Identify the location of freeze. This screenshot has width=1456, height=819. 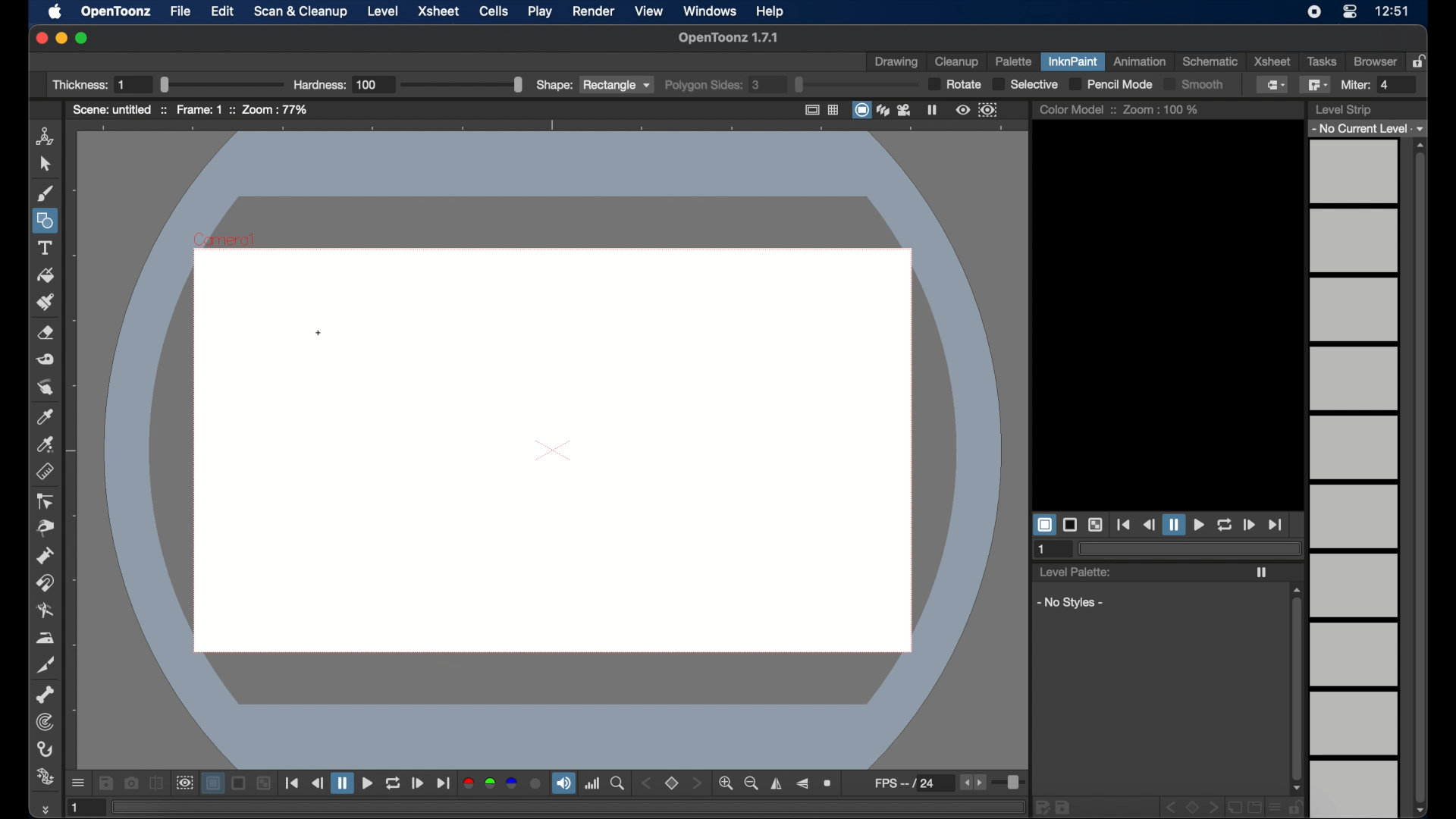
(933, 109).